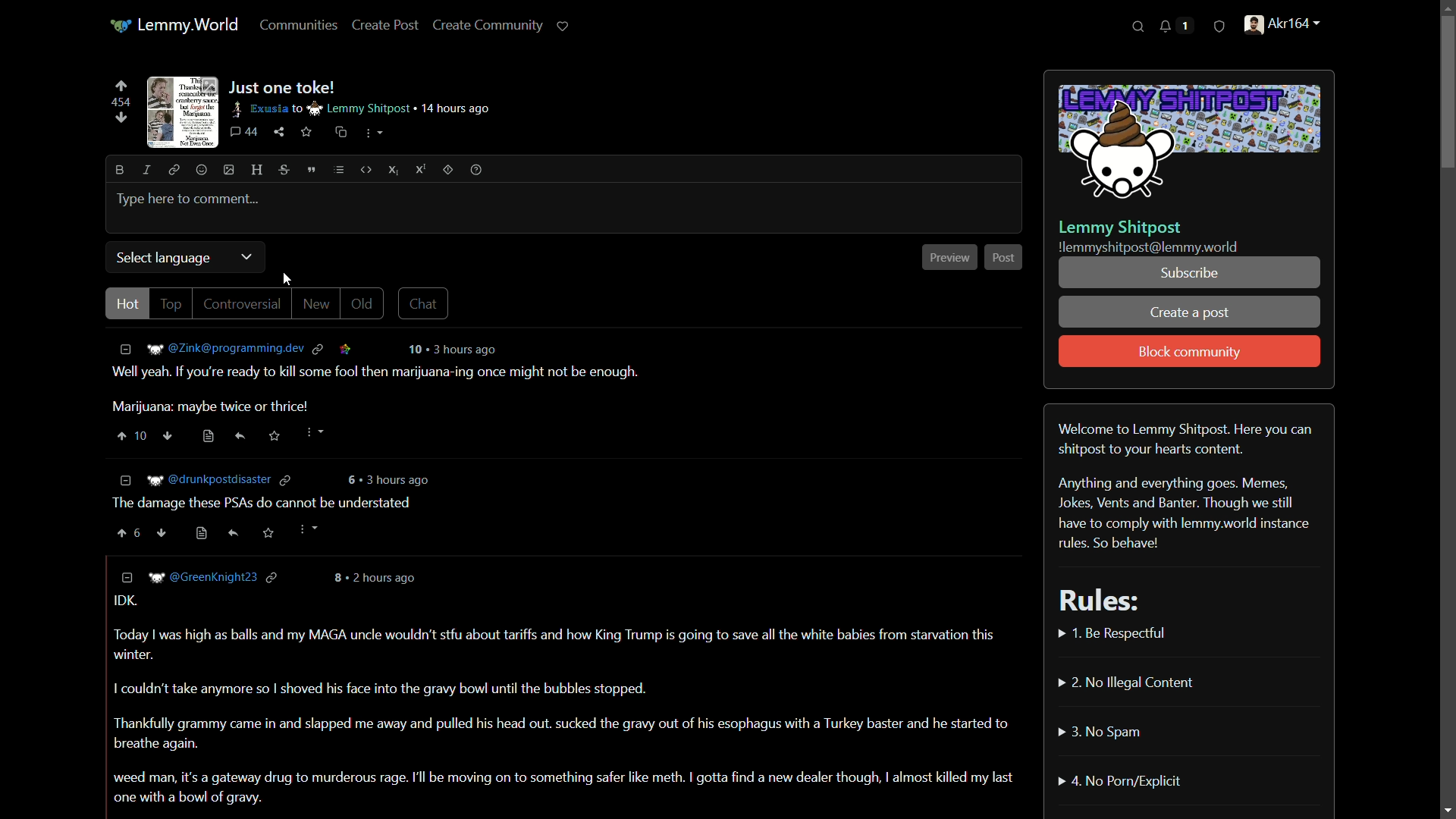  I want to click on communities, so click(297, 25).